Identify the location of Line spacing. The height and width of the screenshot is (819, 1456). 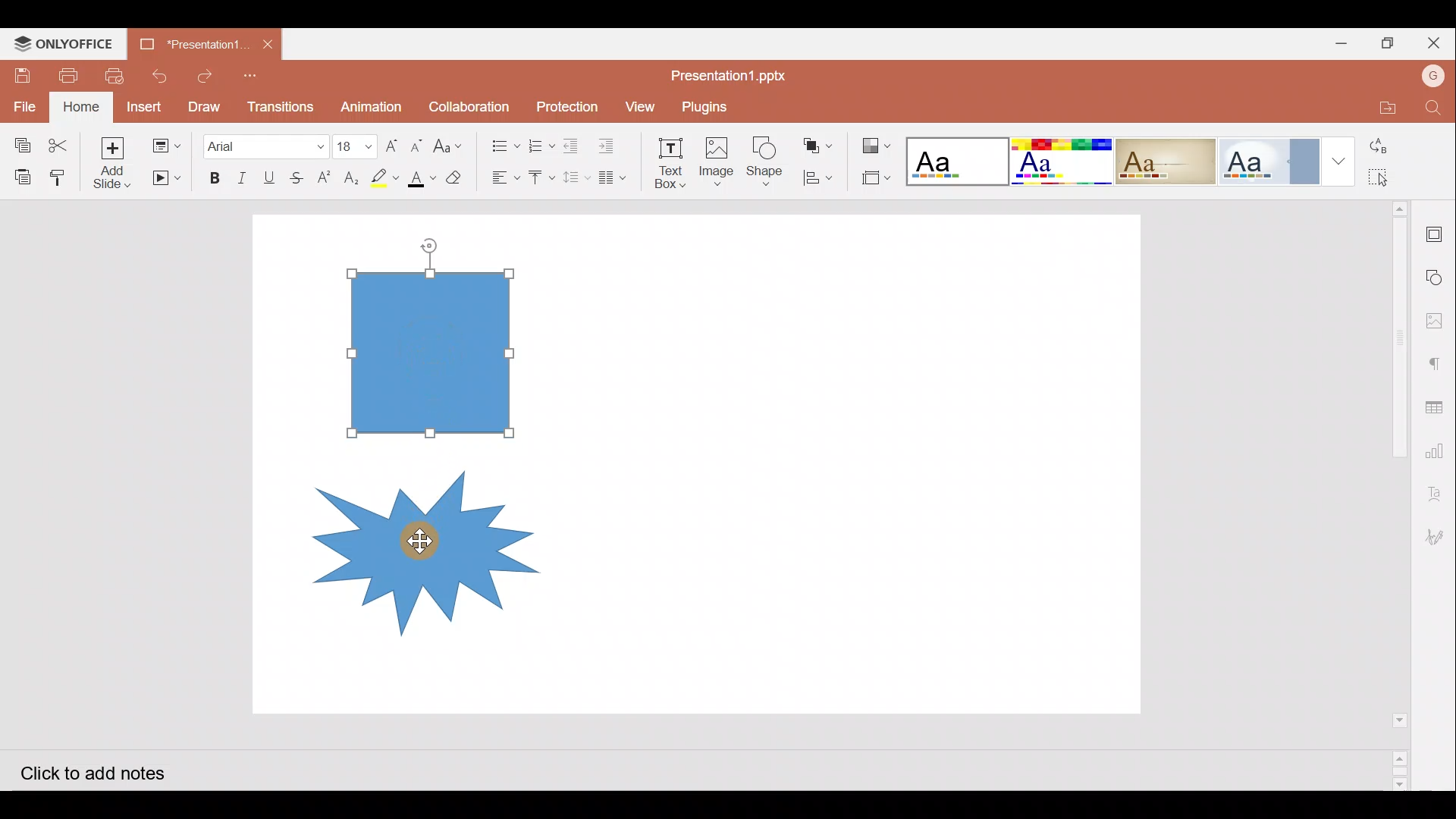
(576, 178).